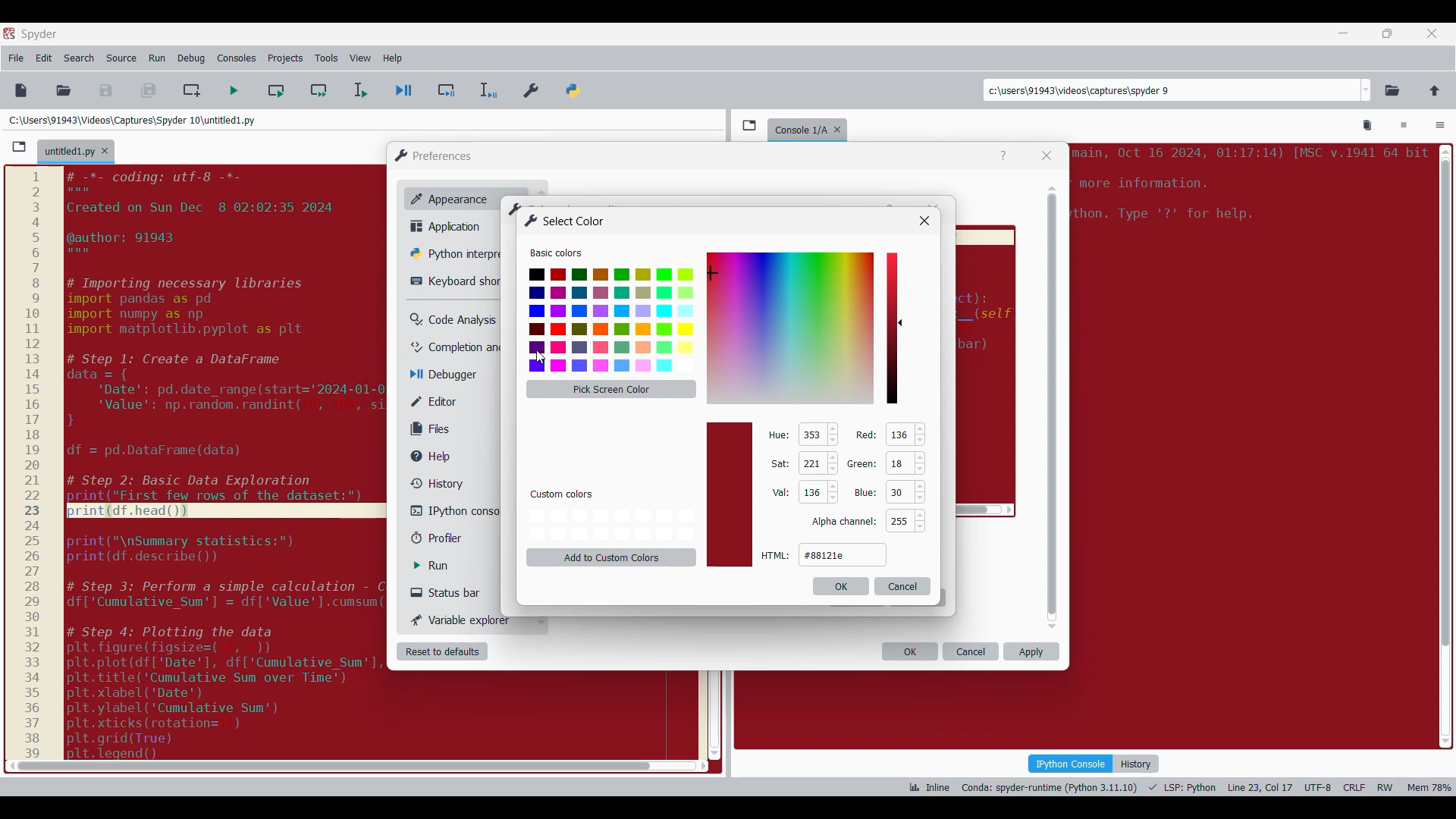 This screenshot has height=819, width=1456. Describe the element at coordinates (237, 58) in the screenshot. I see `Consoles menu` at that location.